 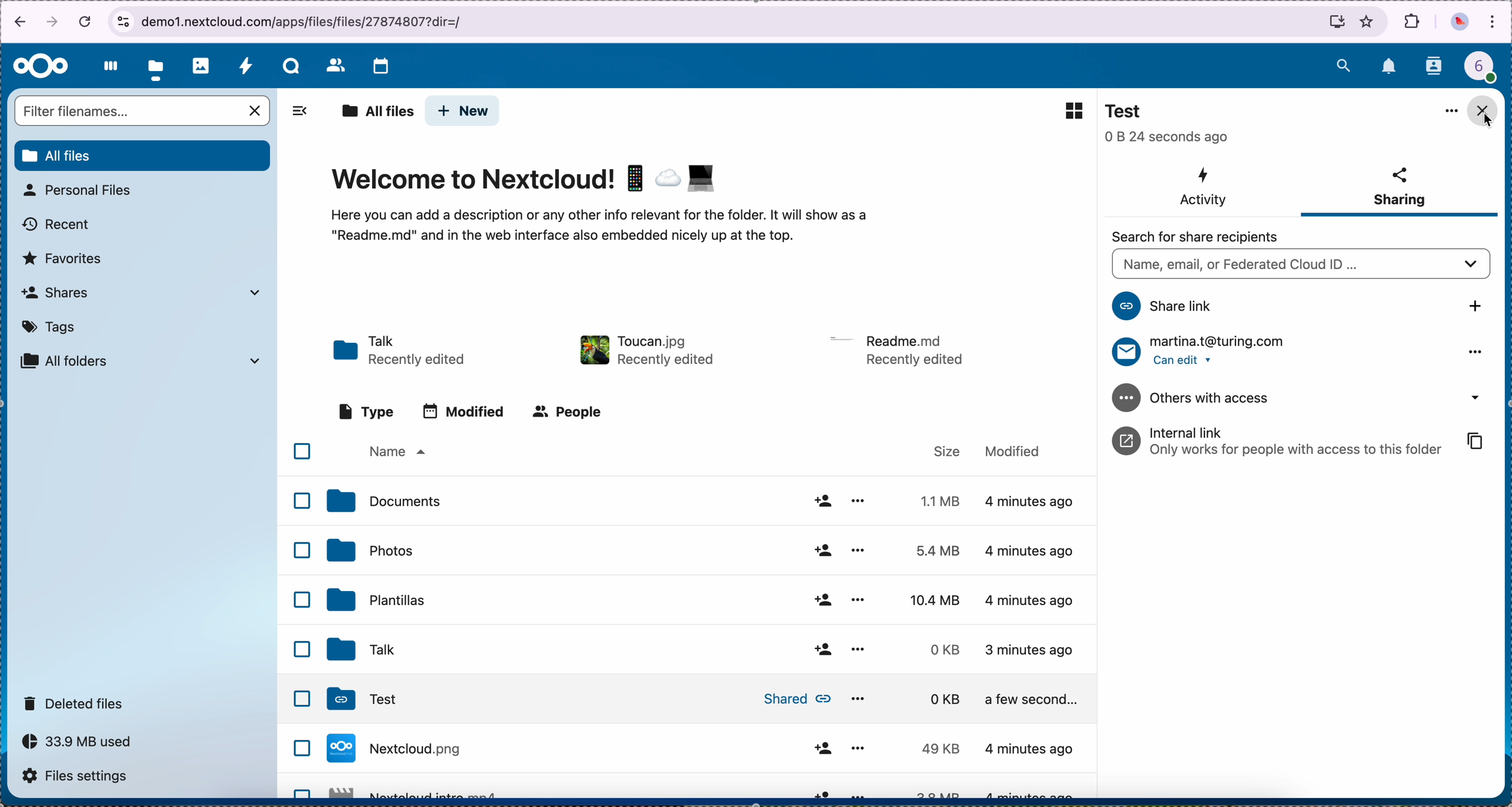 What do you see at coordinates (1202, 188) in the screenshot?
I see `activity` at bounding box center [1202, 188].